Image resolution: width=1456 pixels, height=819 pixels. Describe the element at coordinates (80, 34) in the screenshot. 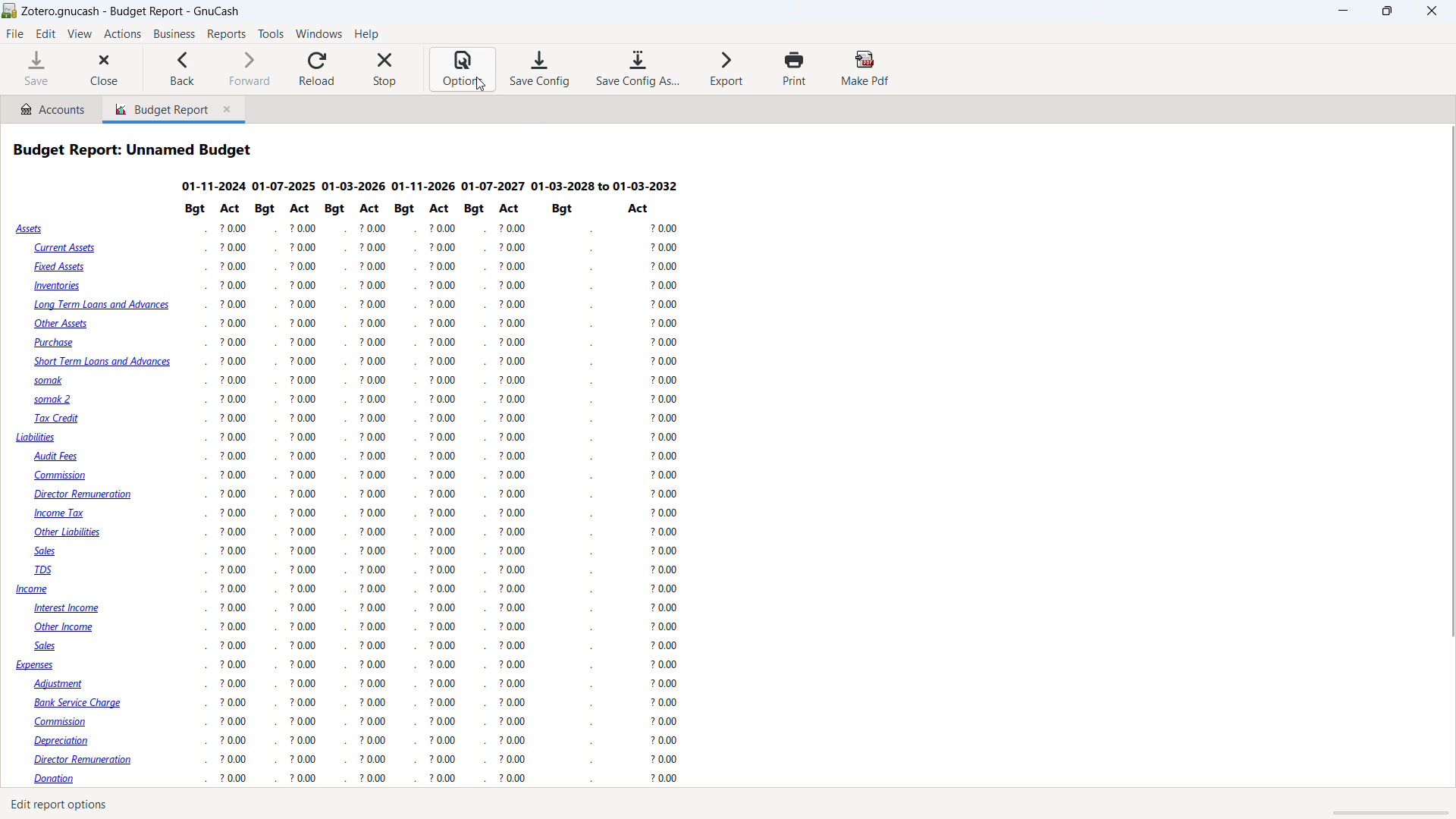

I see `view` at that location.